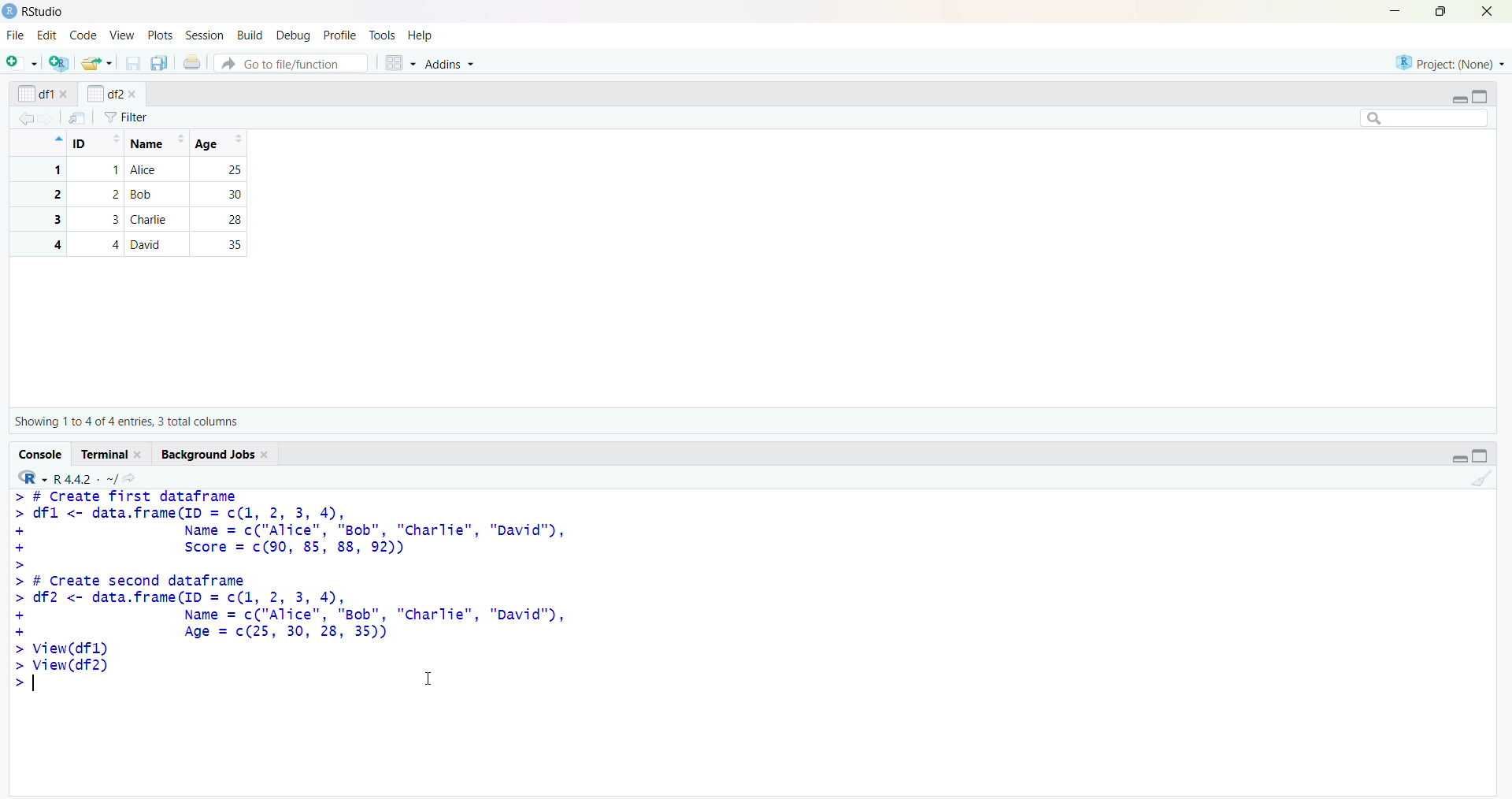 Image resolution: width=1512 pixels, height=799 pixels. I want to click on Help, so click(420, 35).